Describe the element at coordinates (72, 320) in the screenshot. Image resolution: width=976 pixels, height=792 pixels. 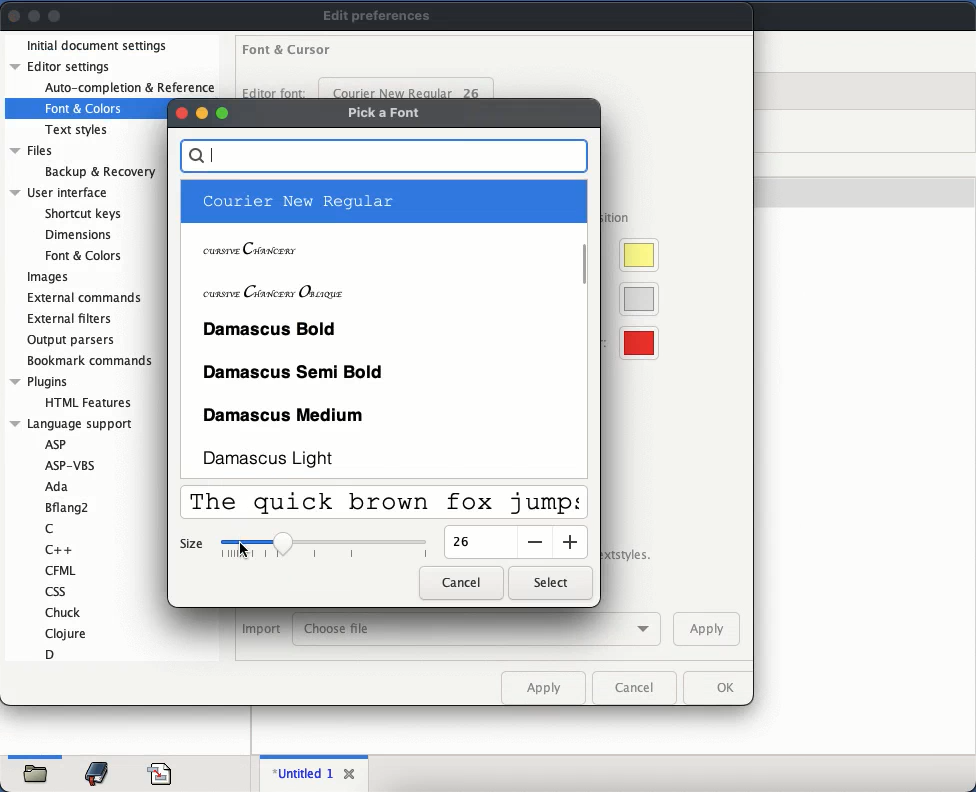
I see `external filters` at that location.